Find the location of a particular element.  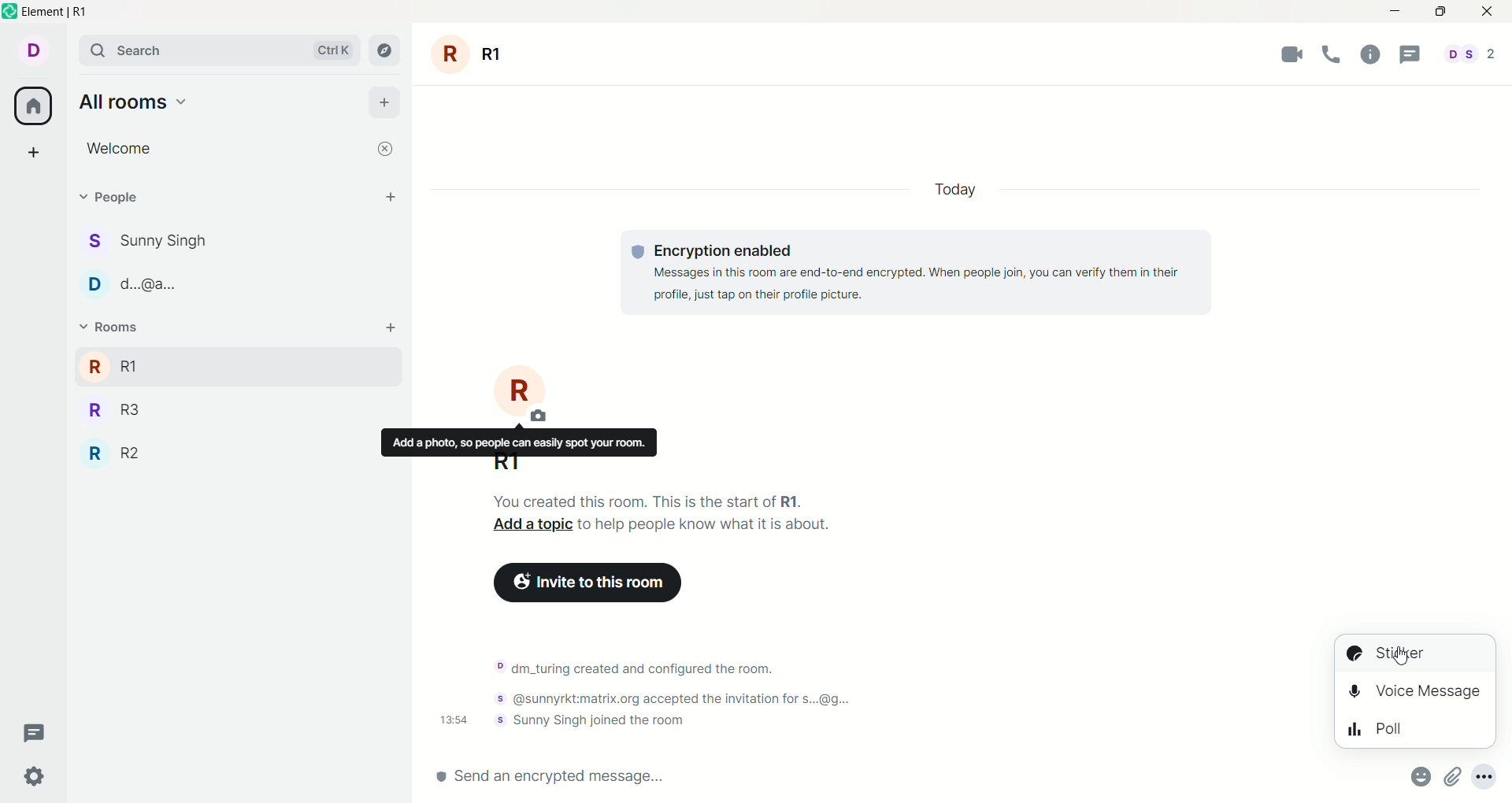

Click to invite more people to this room is located at coordinates (587, 583).